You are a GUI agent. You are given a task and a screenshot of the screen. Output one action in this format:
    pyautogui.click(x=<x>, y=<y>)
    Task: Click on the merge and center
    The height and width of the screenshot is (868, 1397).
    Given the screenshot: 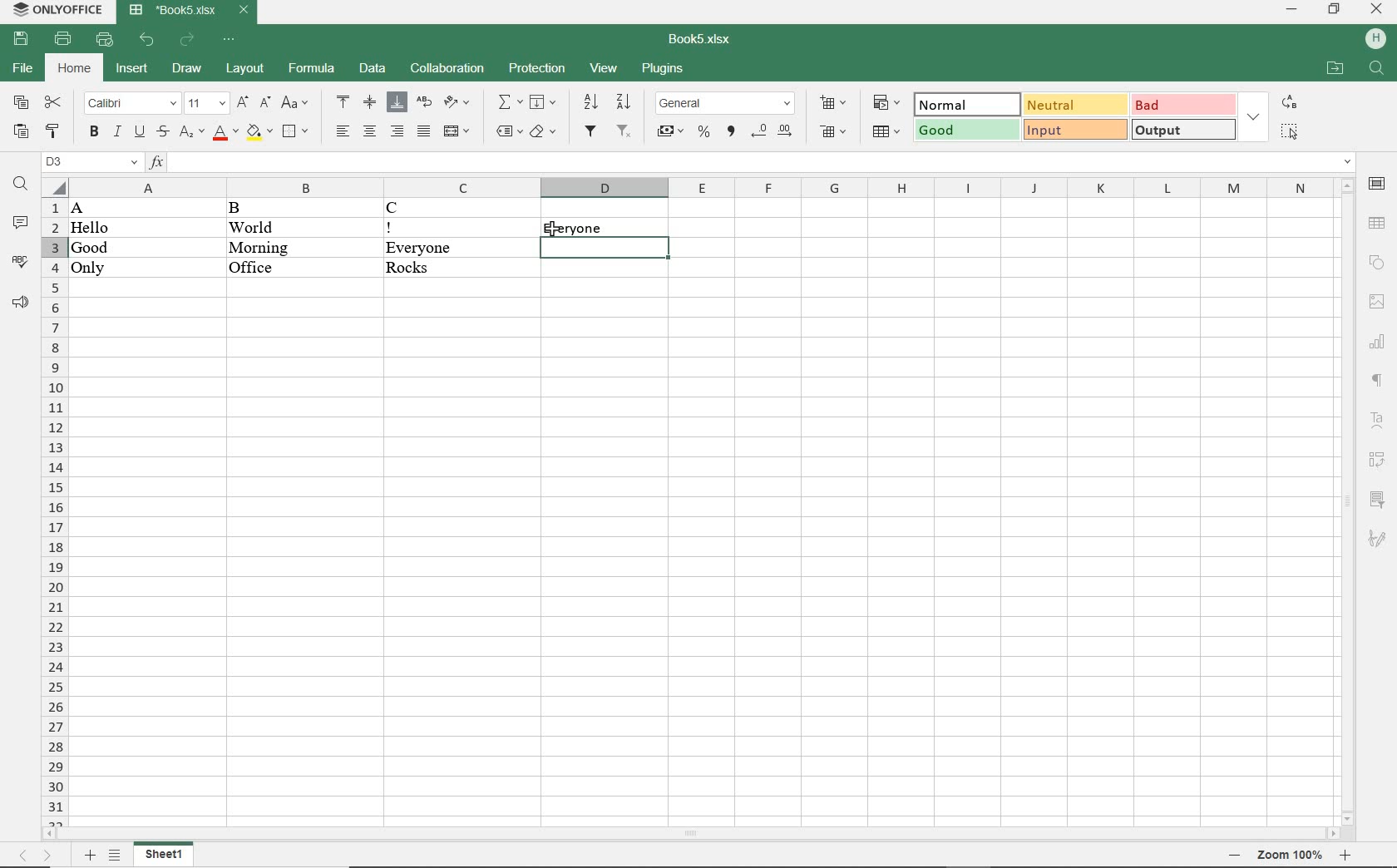 What is the action you would take?
    pyautogui.click(x=457, y=132)
    